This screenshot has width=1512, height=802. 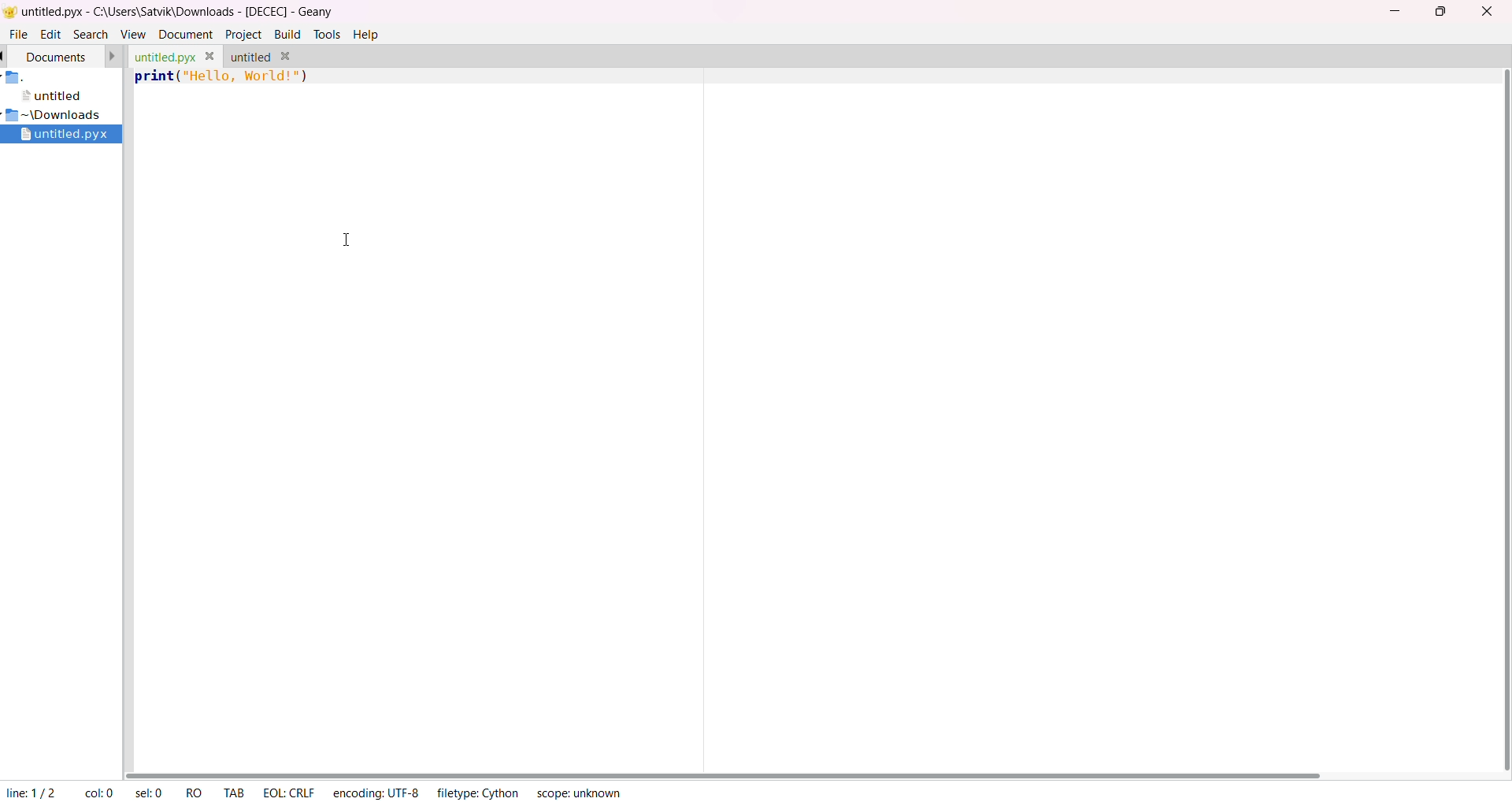 I want to click on maximize, so click(x=1443, y=11).